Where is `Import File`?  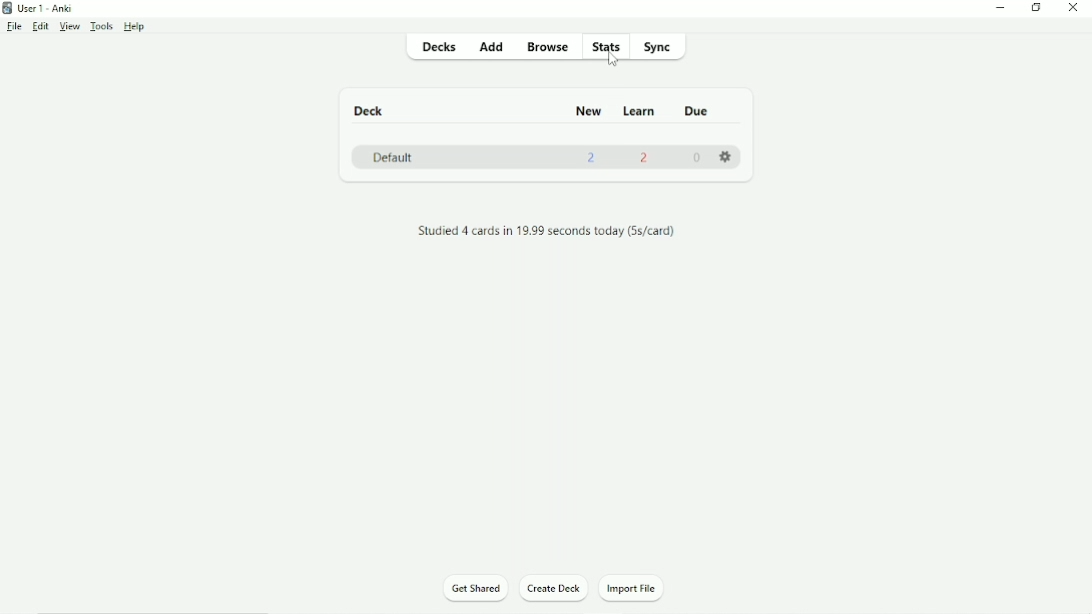
Import File is located at coordinates (640, 589).